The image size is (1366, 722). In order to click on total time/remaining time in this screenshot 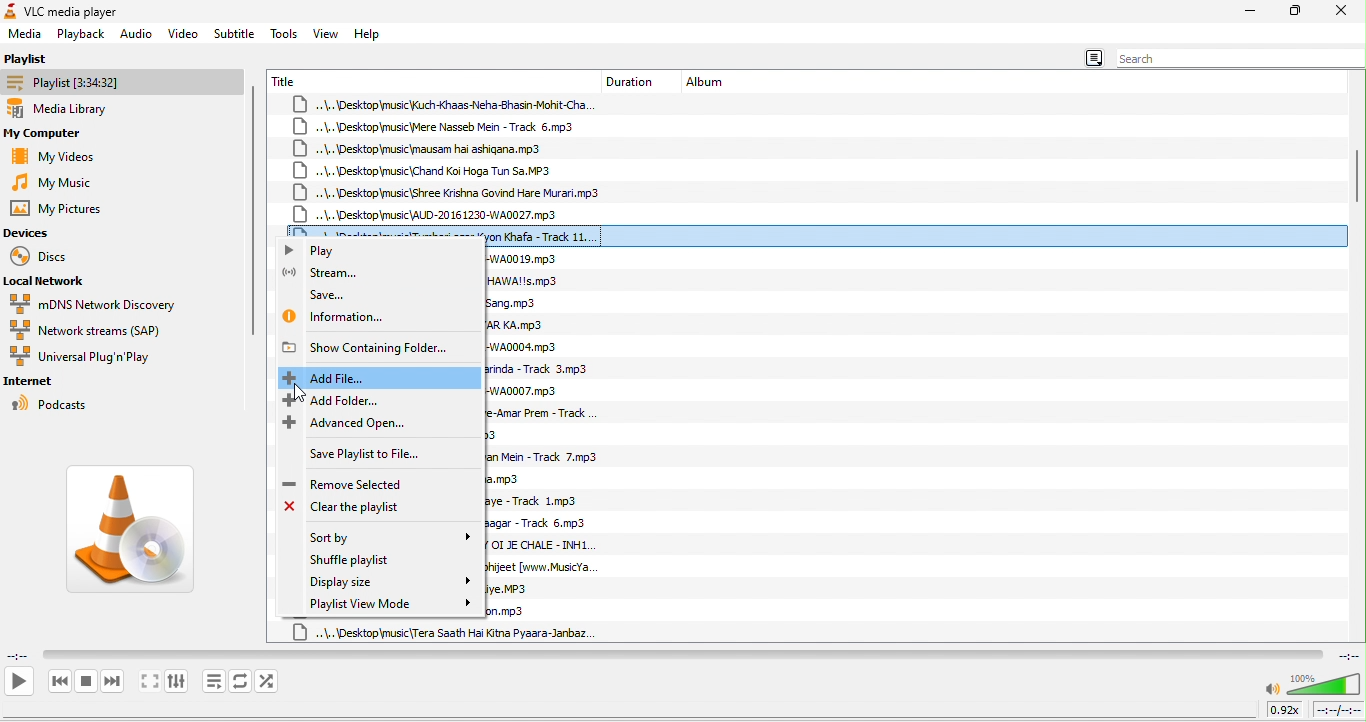, I will do `click(1337, 710)`.